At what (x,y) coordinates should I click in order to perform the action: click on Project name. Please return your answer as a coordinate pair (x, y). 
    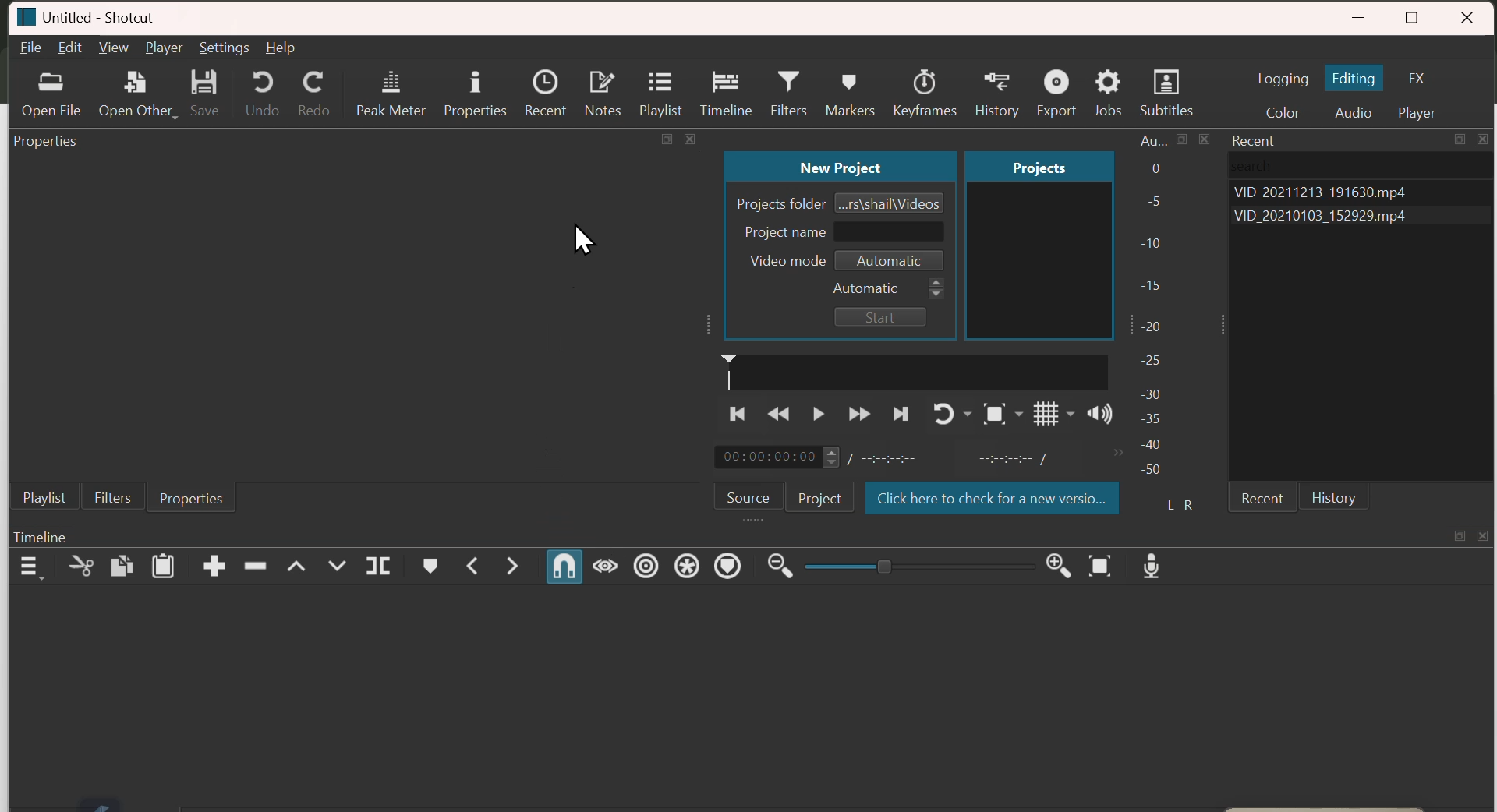
    Looking at the image, I should click on (841, 232).